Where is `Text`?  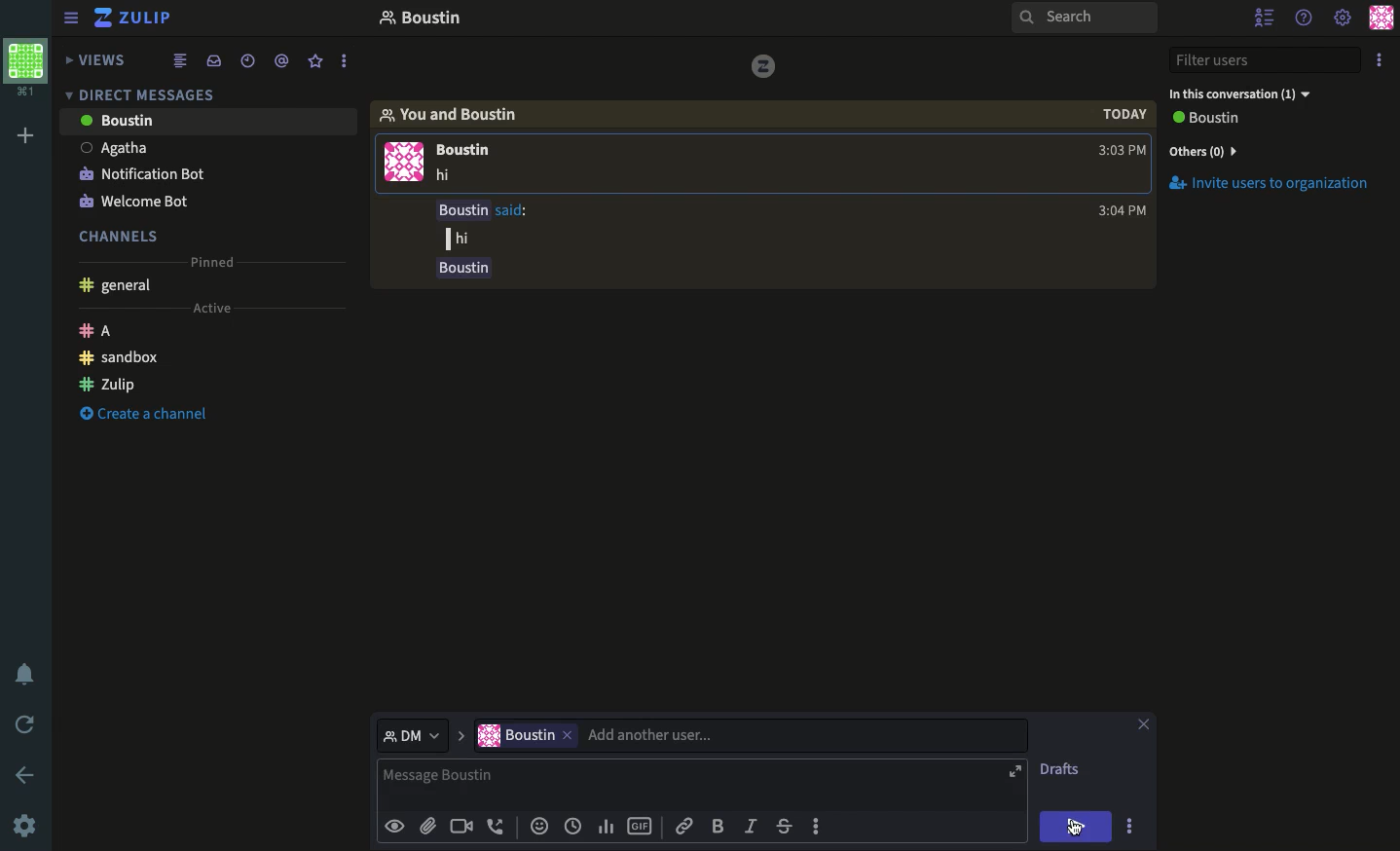 Text is located at coordinates (447, 176).